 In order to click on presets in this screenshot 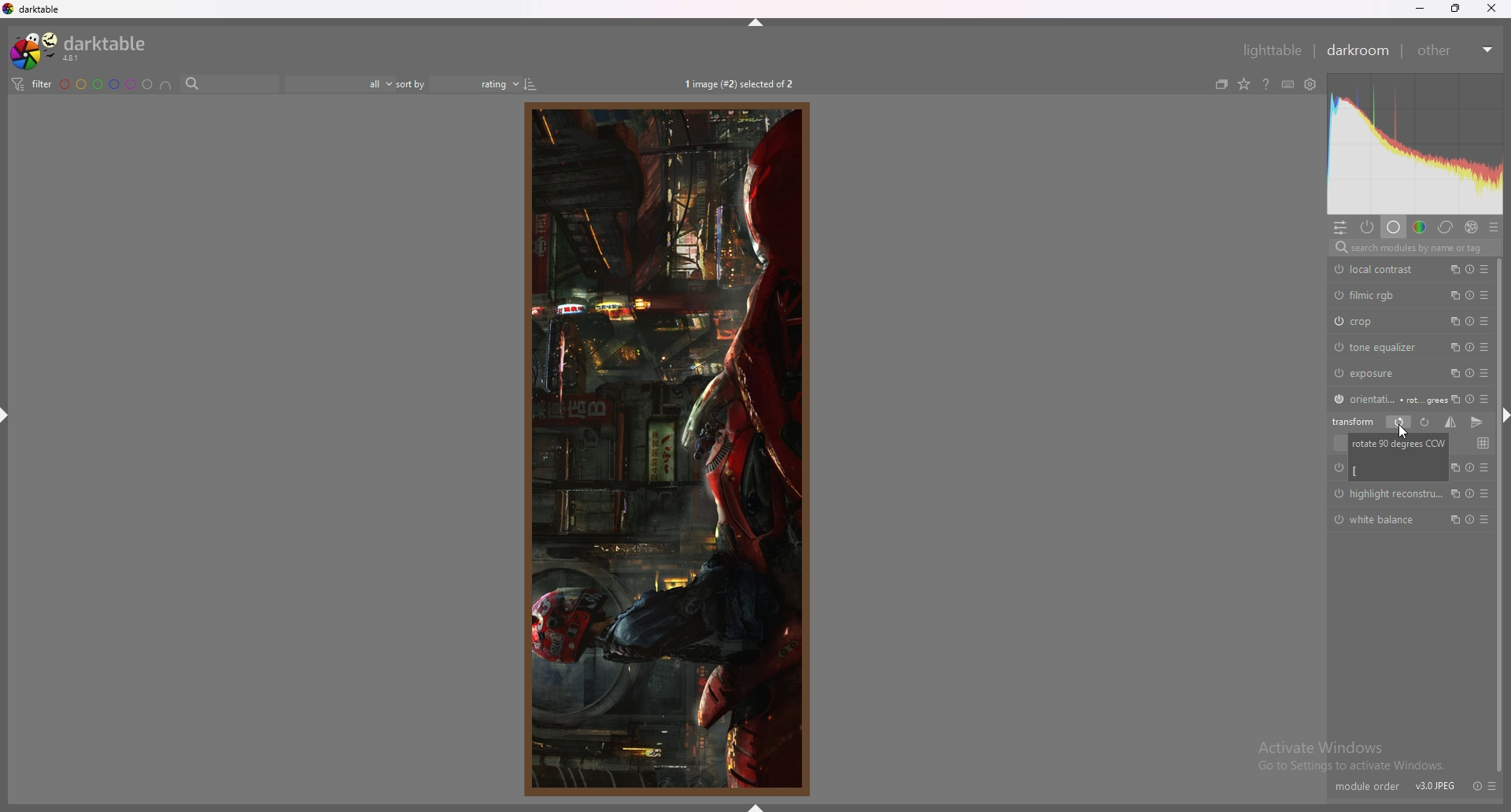, I will do `click(1485, 321)`.